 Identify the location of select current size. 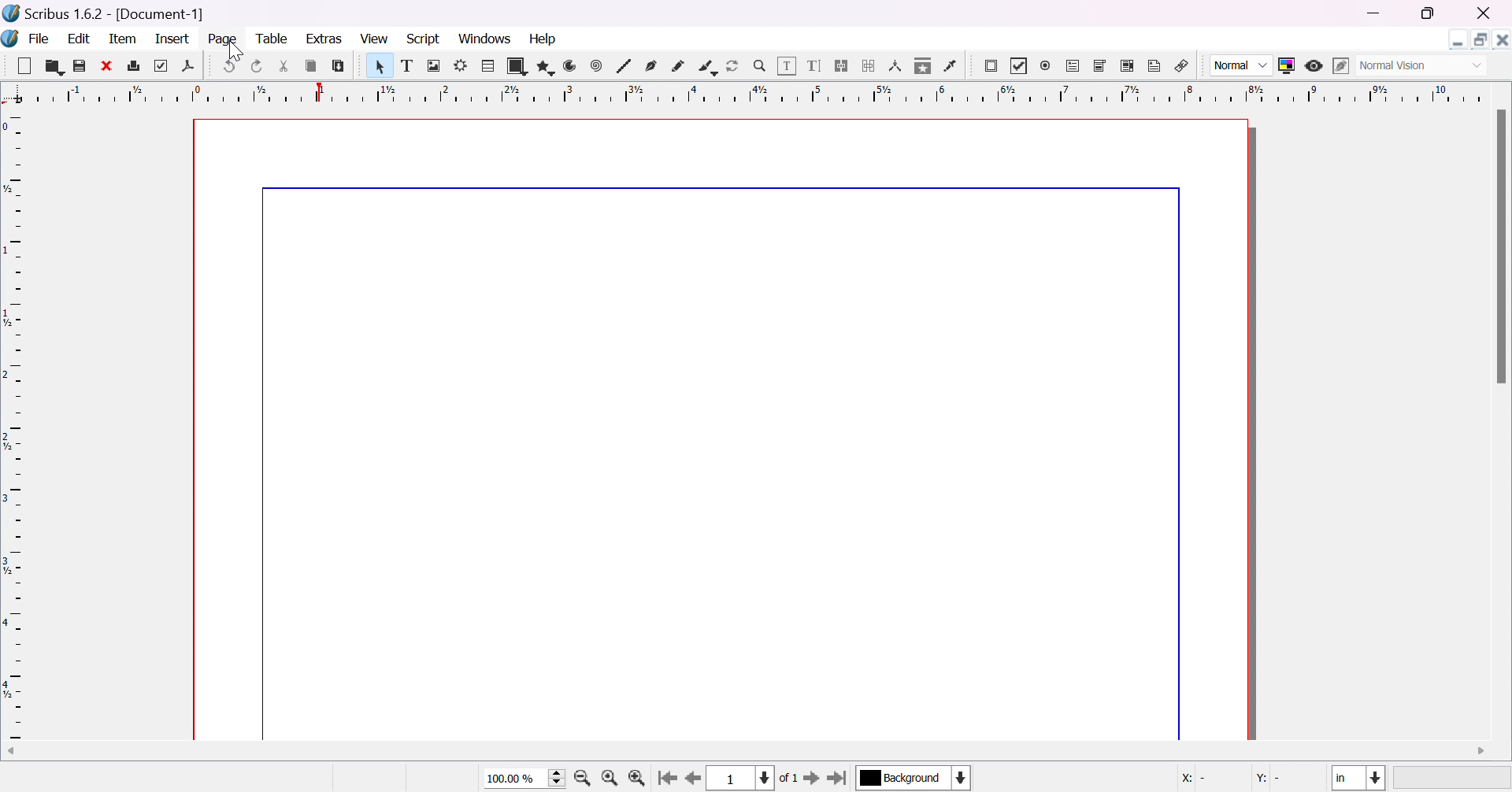
(524, 776).